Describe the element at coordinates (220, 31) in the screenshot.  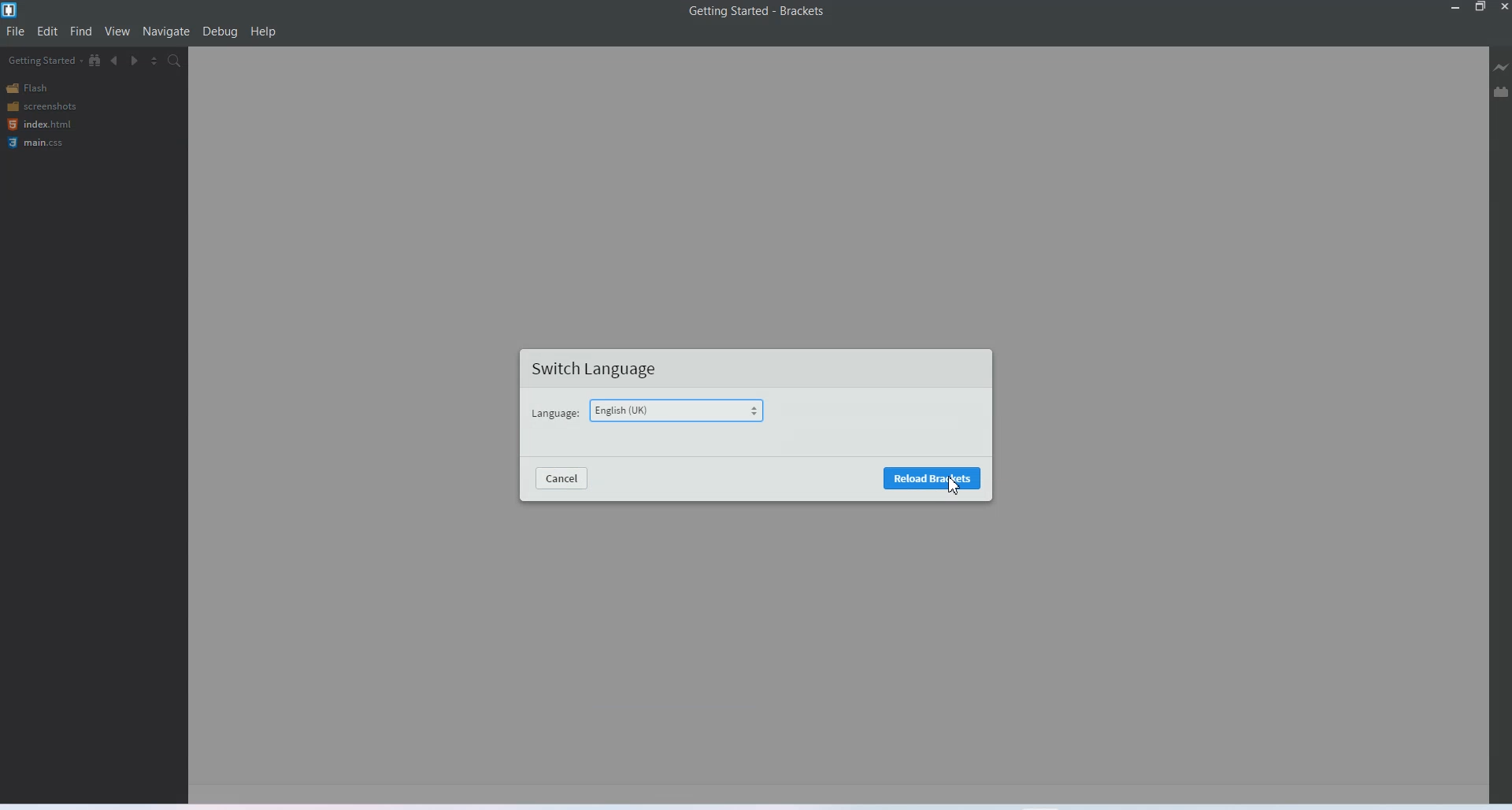
I see `Debug` at that location.